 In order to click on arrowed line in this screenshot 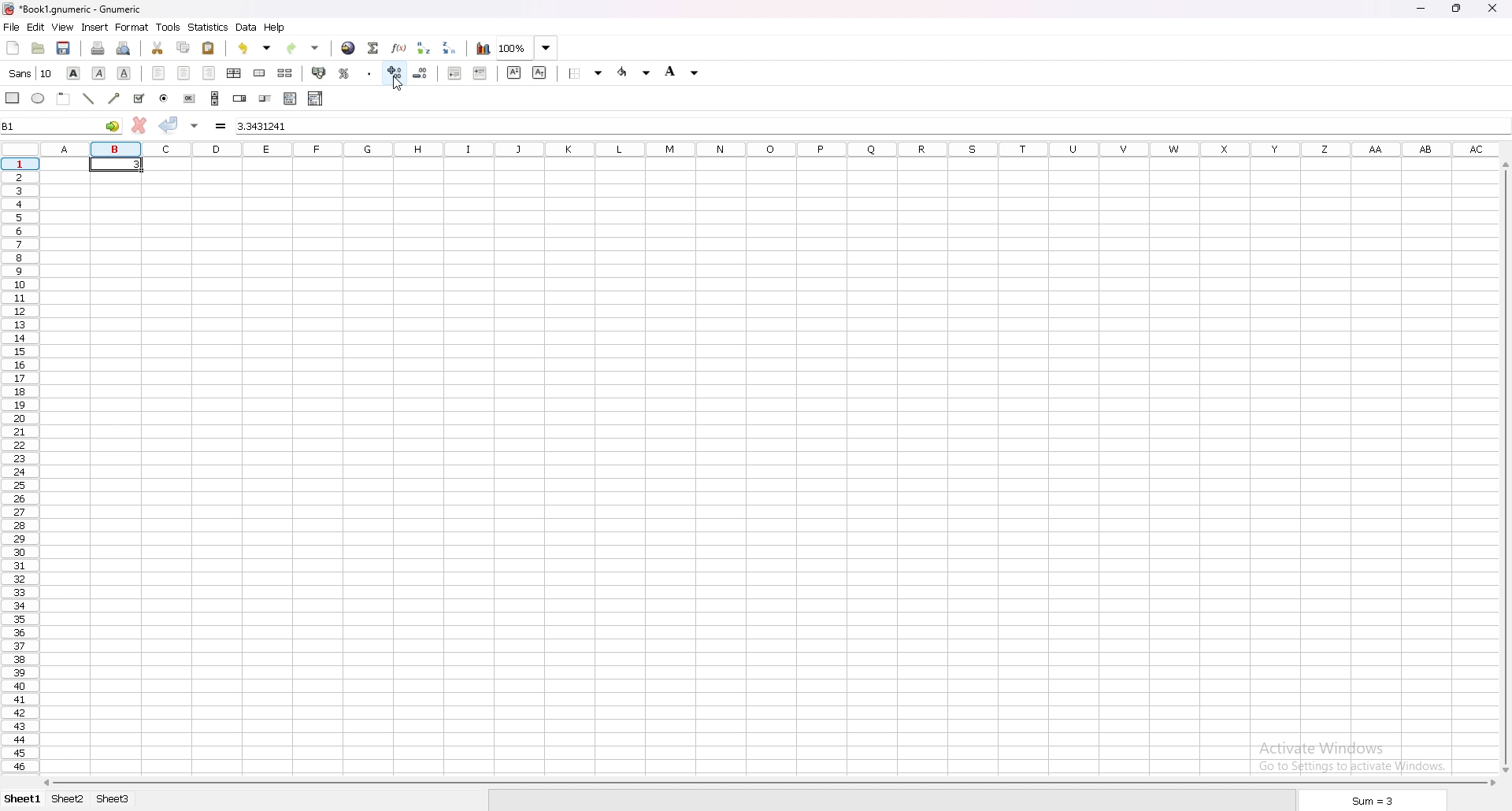, I will do `click(113, 98)`.